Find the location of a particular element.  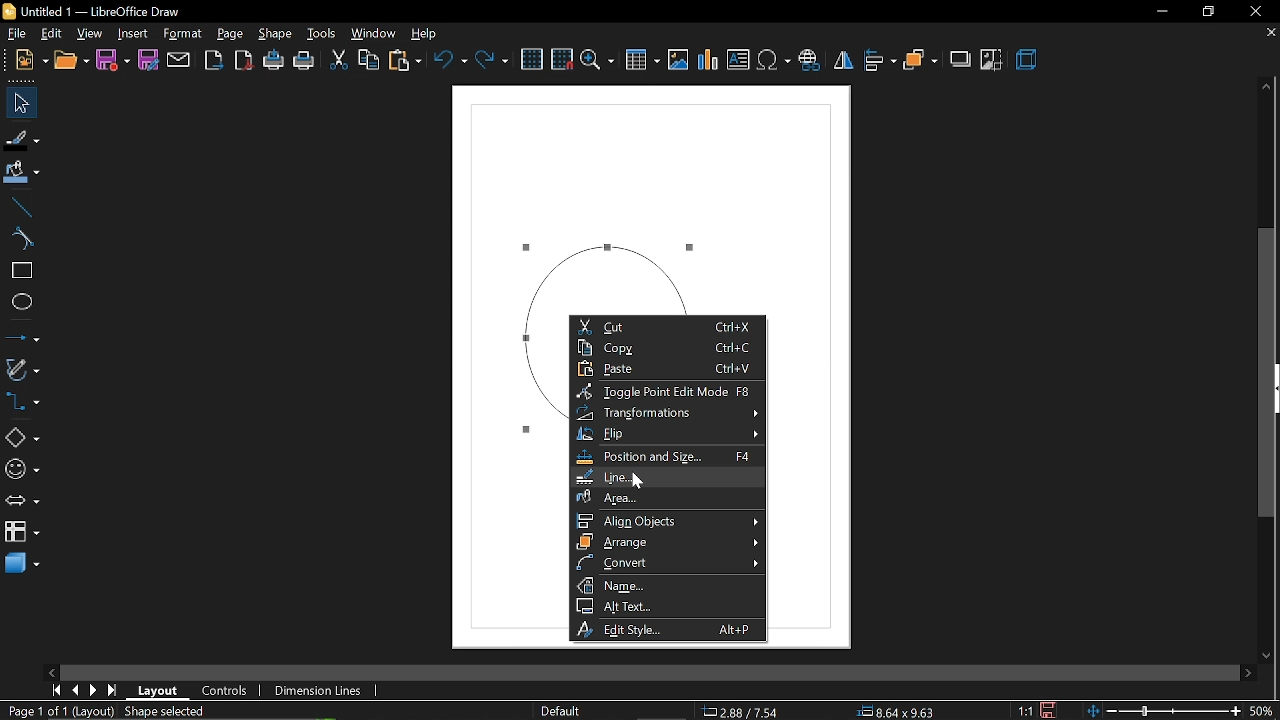

export is located at coordinates (211, 60).